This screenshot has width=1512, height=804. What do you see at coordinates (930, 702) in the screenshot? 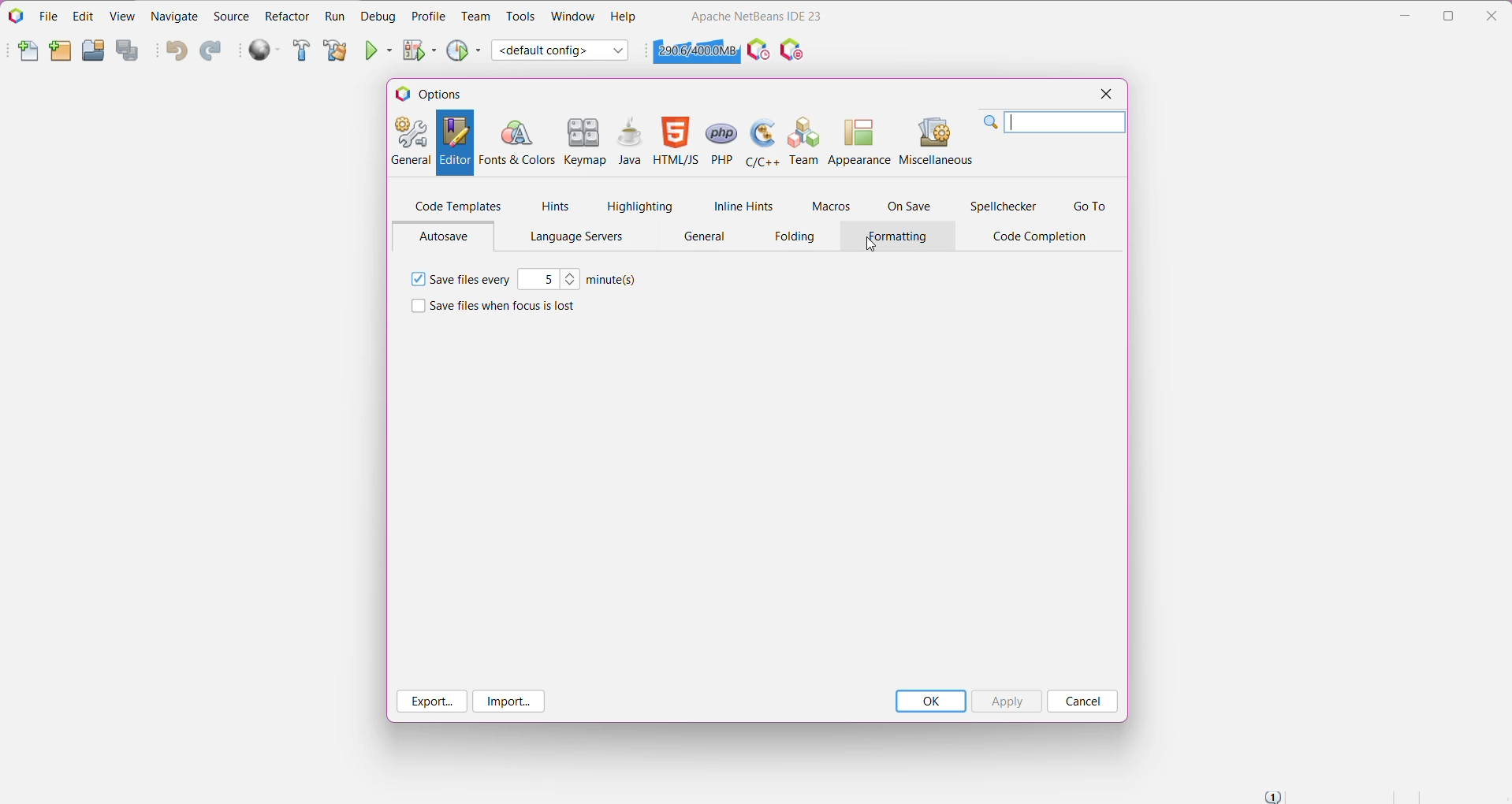
I see `OK` at bounding box center [930, 702].